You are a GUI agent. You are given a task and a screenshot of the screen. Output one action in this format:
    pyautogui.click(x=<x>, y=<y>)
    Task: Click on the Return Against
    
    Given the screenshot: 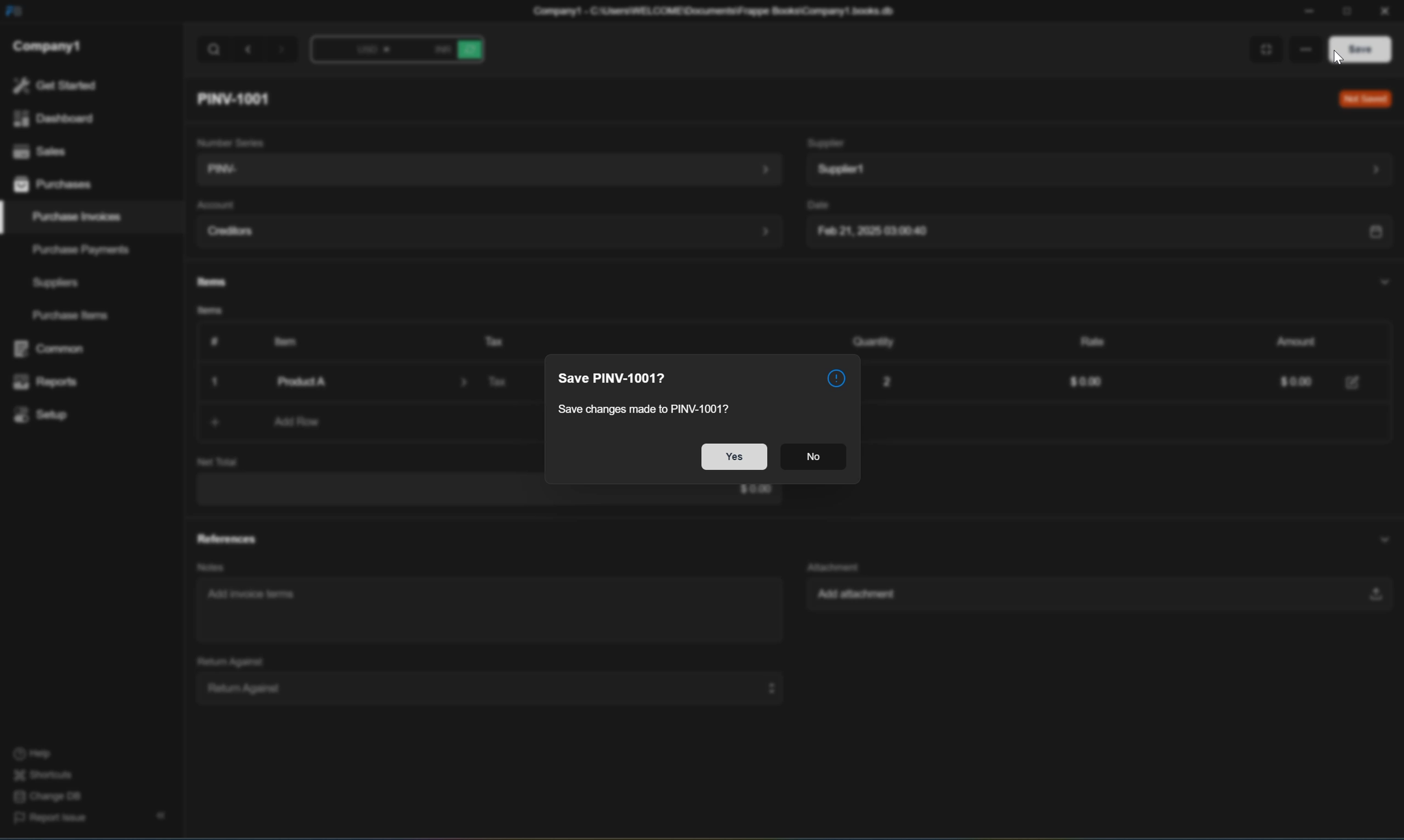 What is the action you would take?
    pyautogui.click(x=483, y=687)
    